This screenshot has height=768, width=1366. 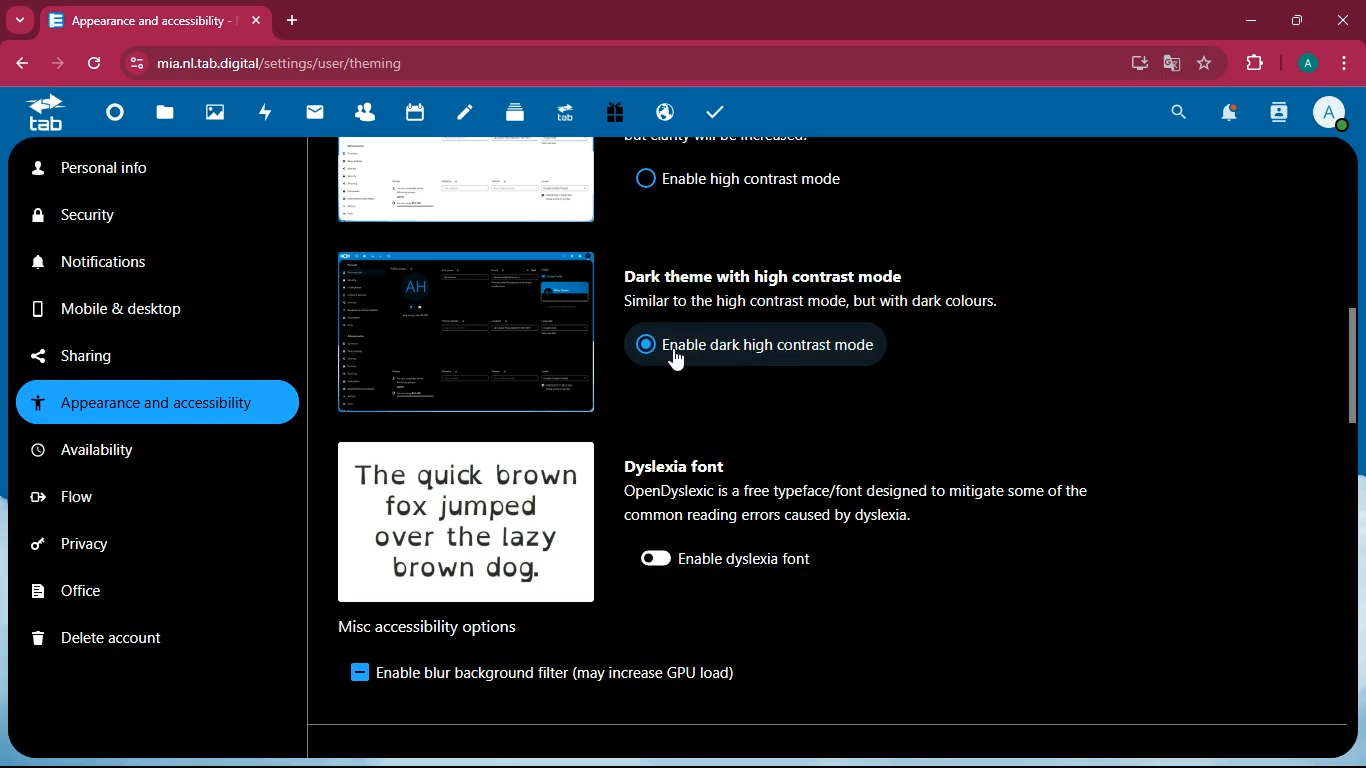 I want to click on desktop, so click(x=1135, y=65).